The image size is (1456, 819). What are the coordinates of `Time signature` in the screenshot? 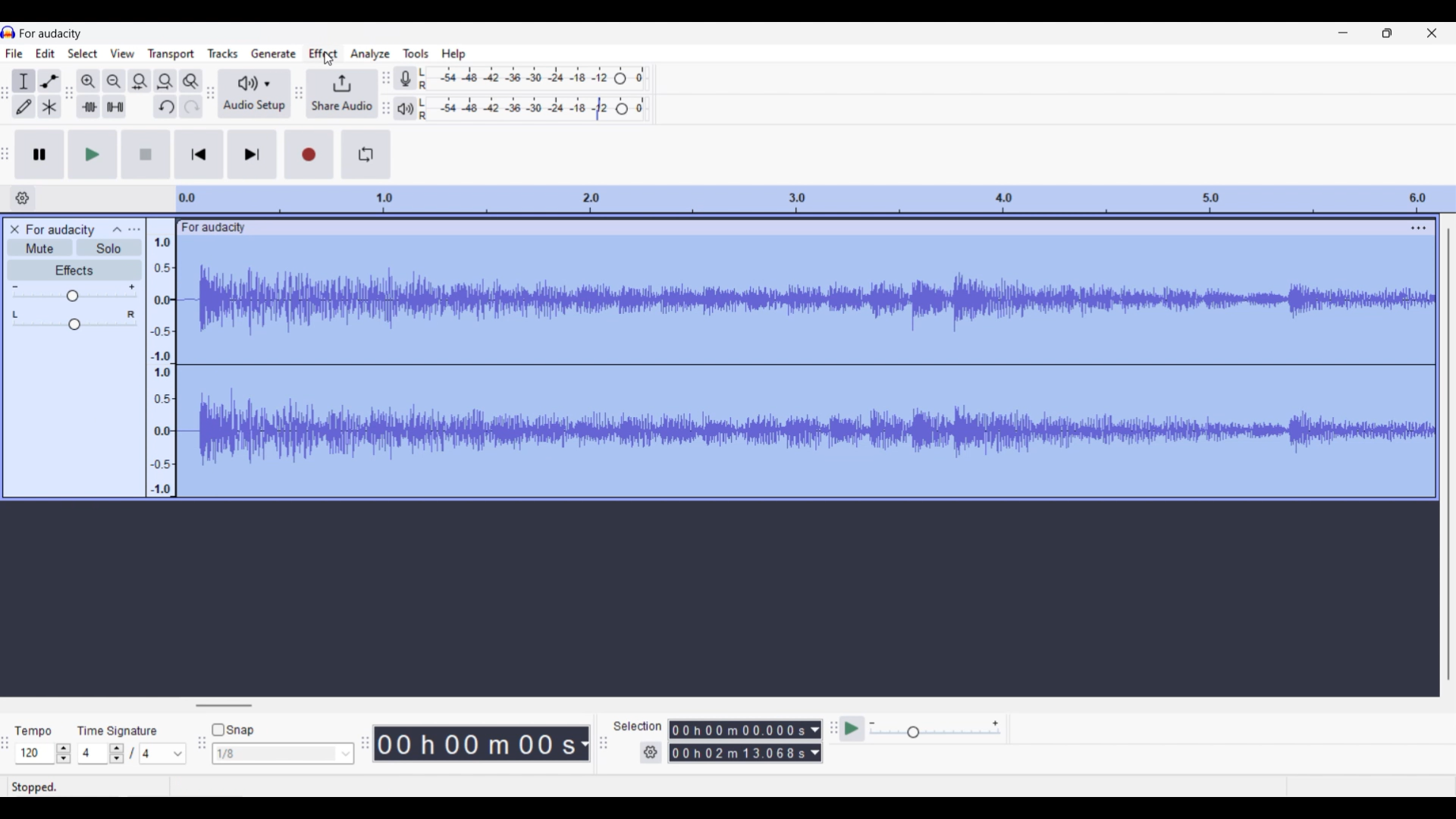 It's located at (118, 730).